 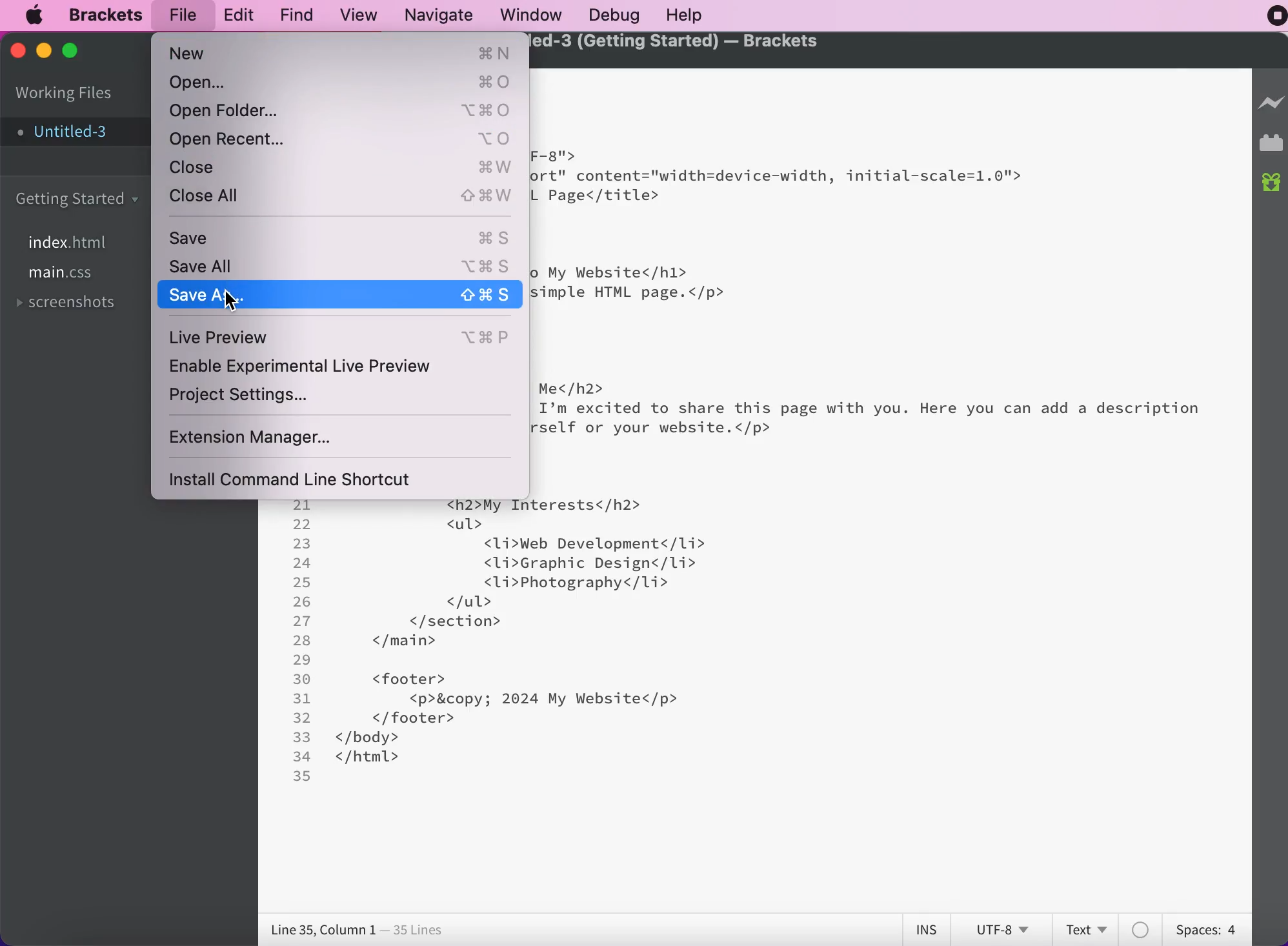 I want to click on live preview, so click(x=1269, y=103).